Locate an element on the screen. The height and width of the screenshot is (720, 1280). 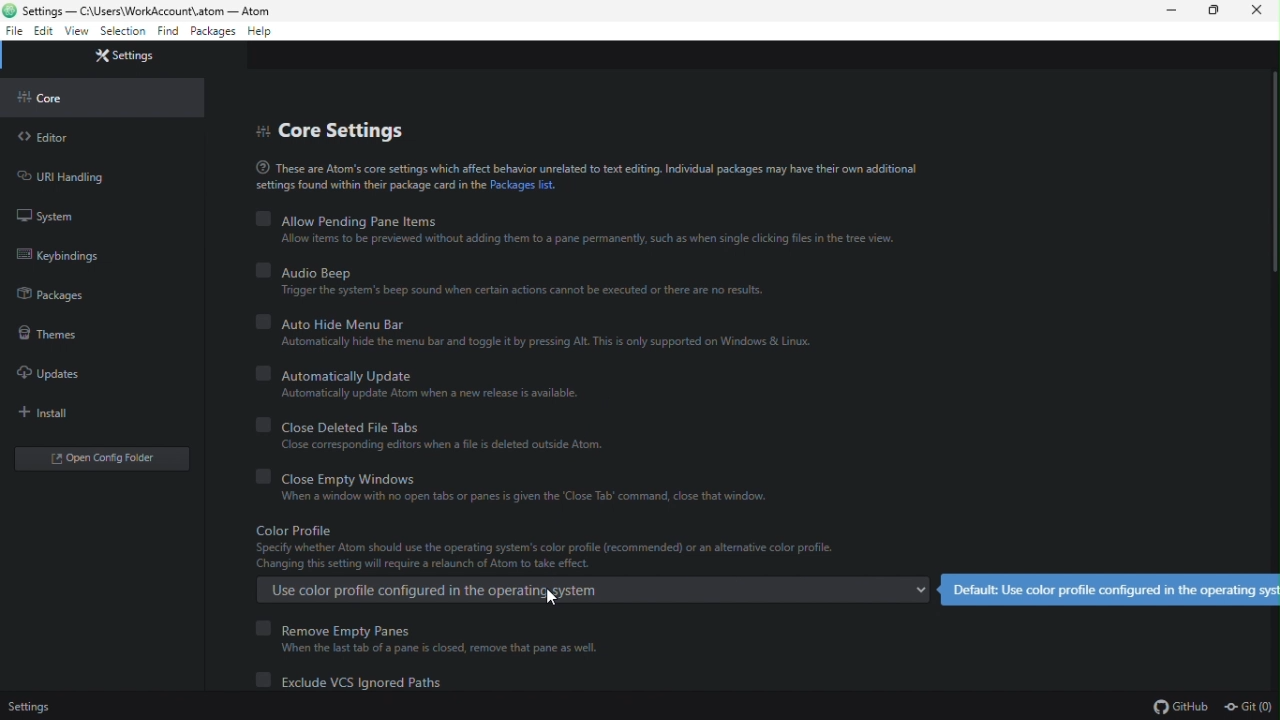
URL handling is located at coordinates (69, 177).